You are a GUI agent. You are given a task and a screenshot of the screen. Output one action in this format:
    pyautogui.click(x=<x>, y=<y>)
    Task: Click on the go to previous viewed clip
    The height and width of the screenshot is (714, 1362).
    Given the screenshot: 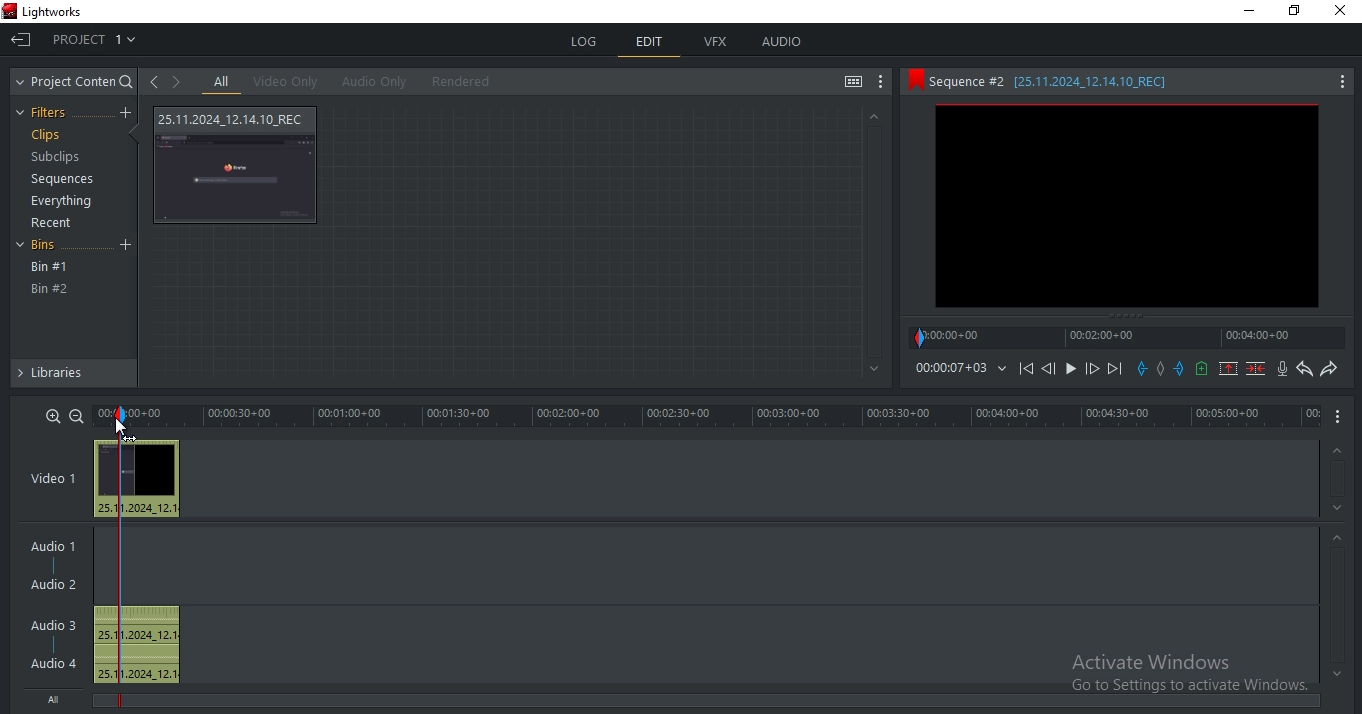 What is the action you would take?
    pyautogui.click(x=153, y=81)
    